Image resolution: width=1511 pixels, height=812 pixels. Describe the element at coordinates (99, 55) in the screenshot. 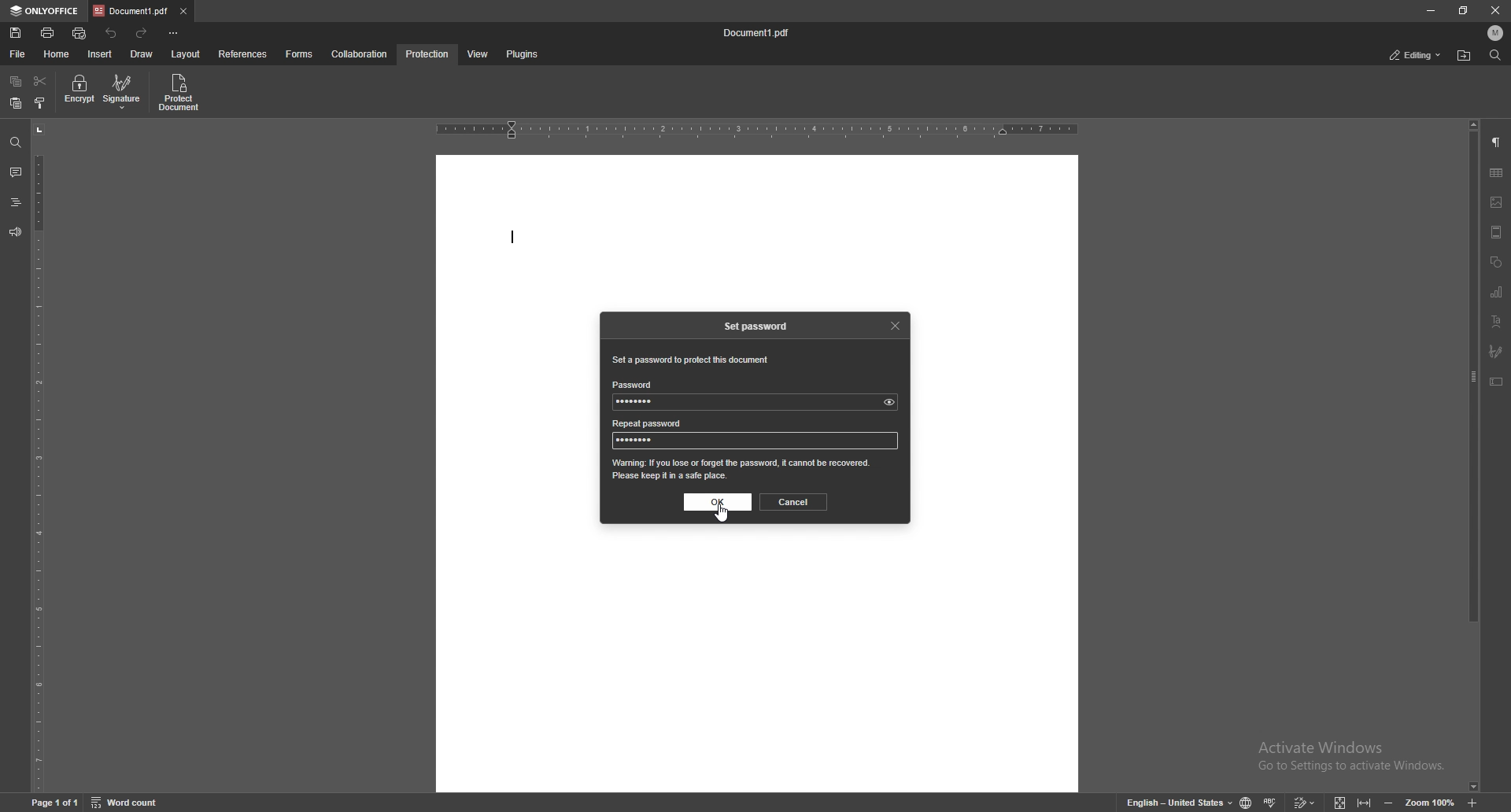

I see `insert` at that location.